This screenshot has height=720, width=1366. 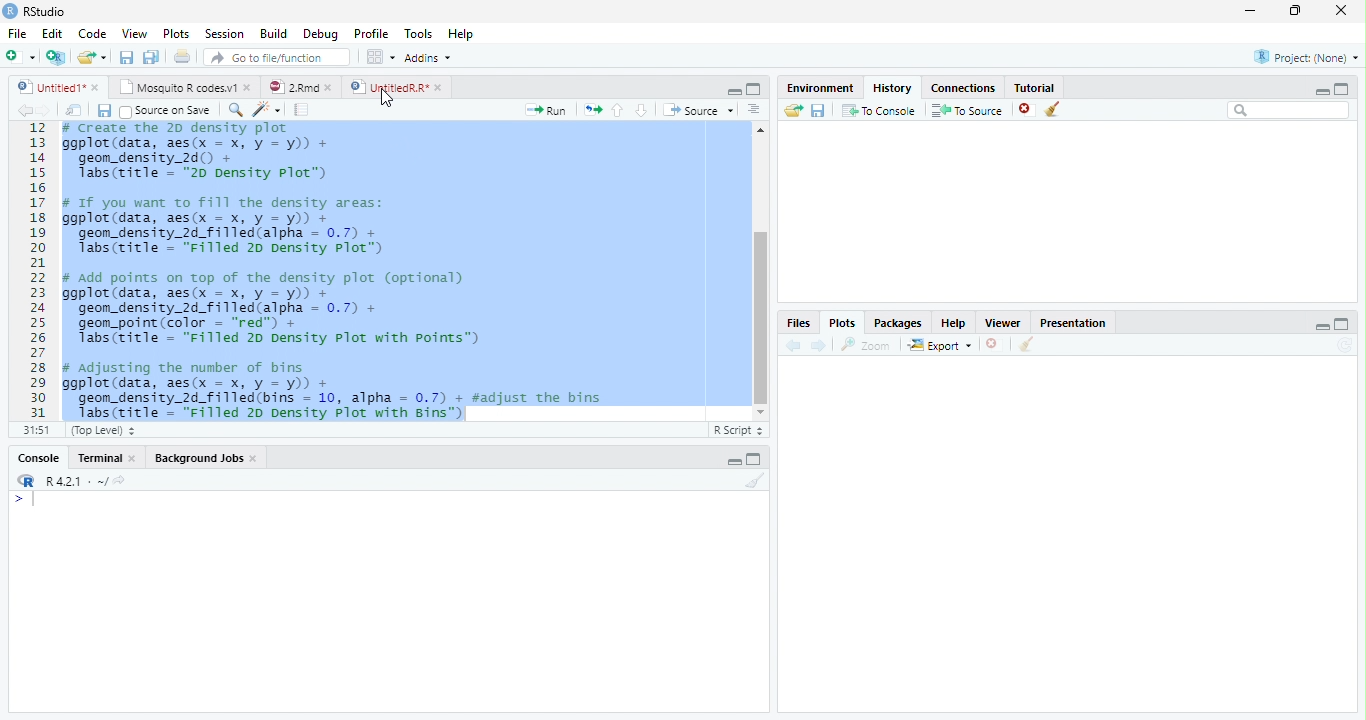 I want to click on print current file, so click(x=182, y=56).